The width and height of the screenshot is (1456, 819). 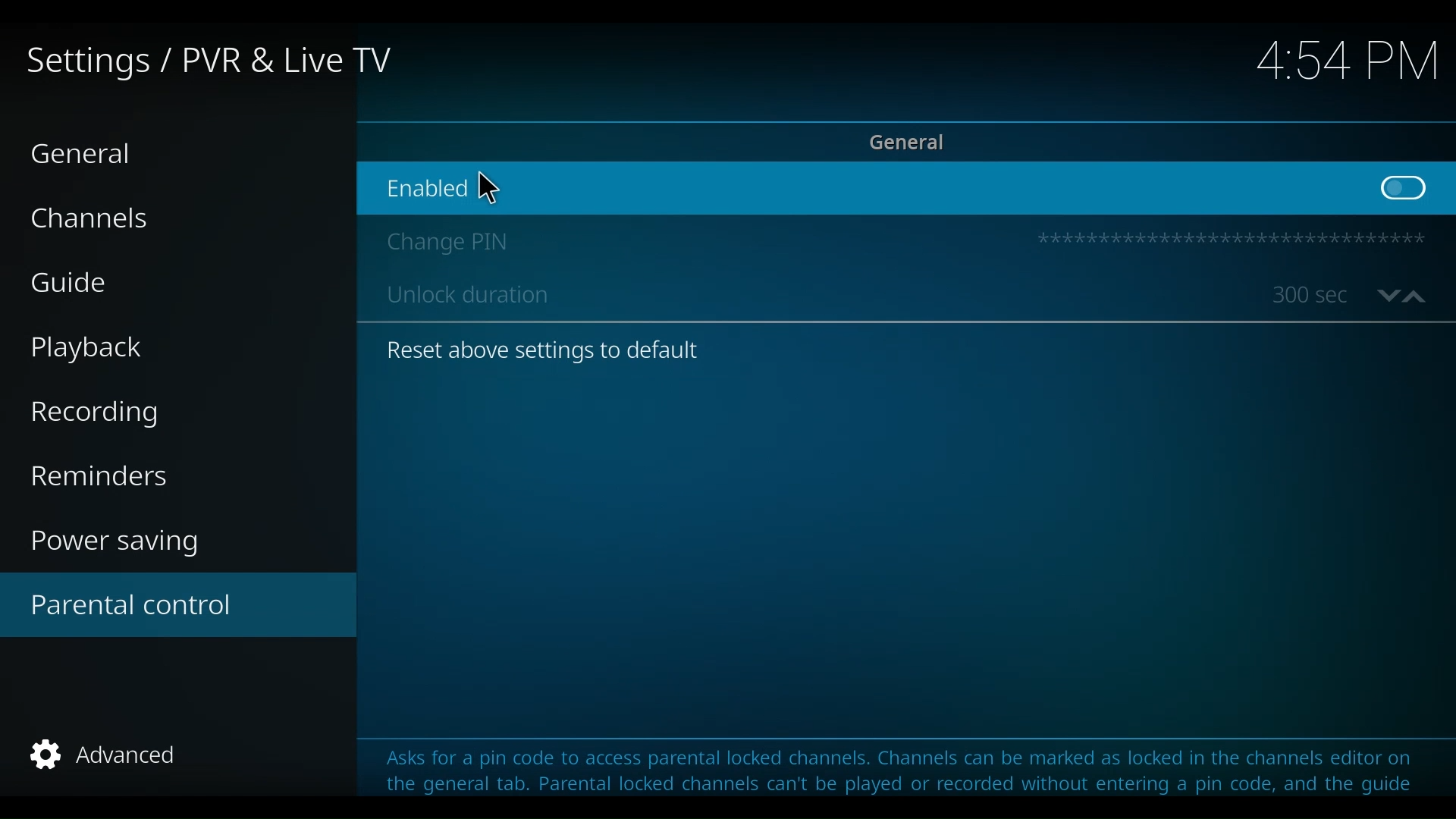 I want to click on Unlock duration, so click(x=811, y=292).